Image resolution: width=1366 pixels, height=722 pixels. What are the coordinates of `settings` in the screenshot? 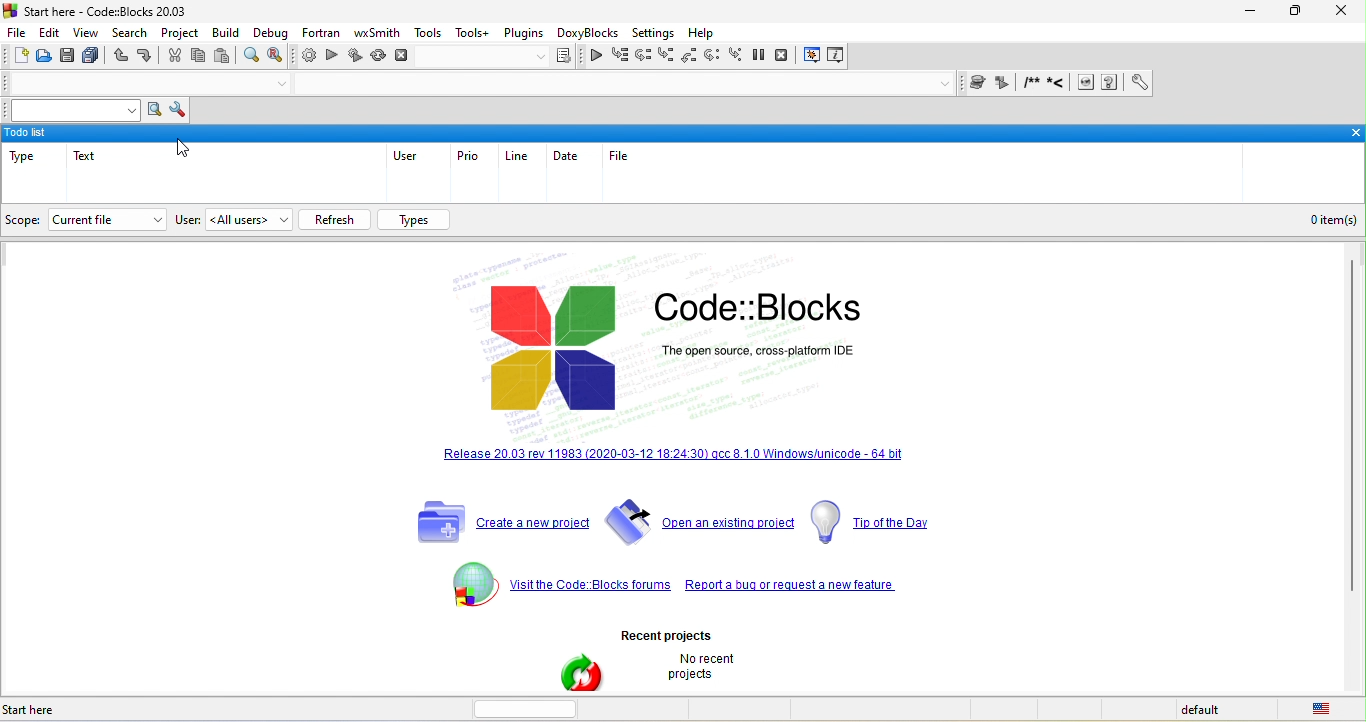 It's located at (653, 34).